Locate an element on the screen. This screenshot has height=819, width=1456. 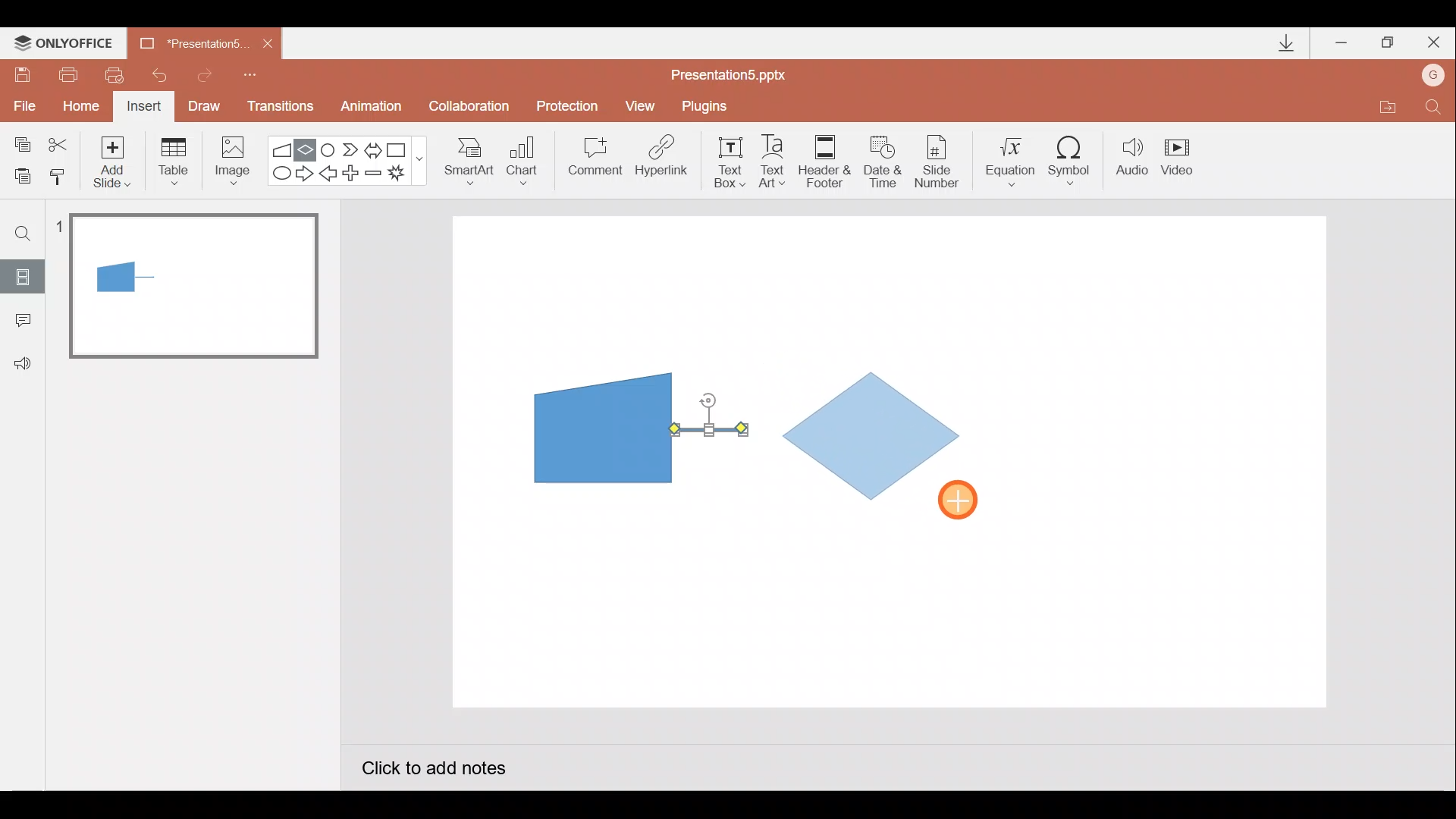
Text Art is located at coordinates (777, 161).